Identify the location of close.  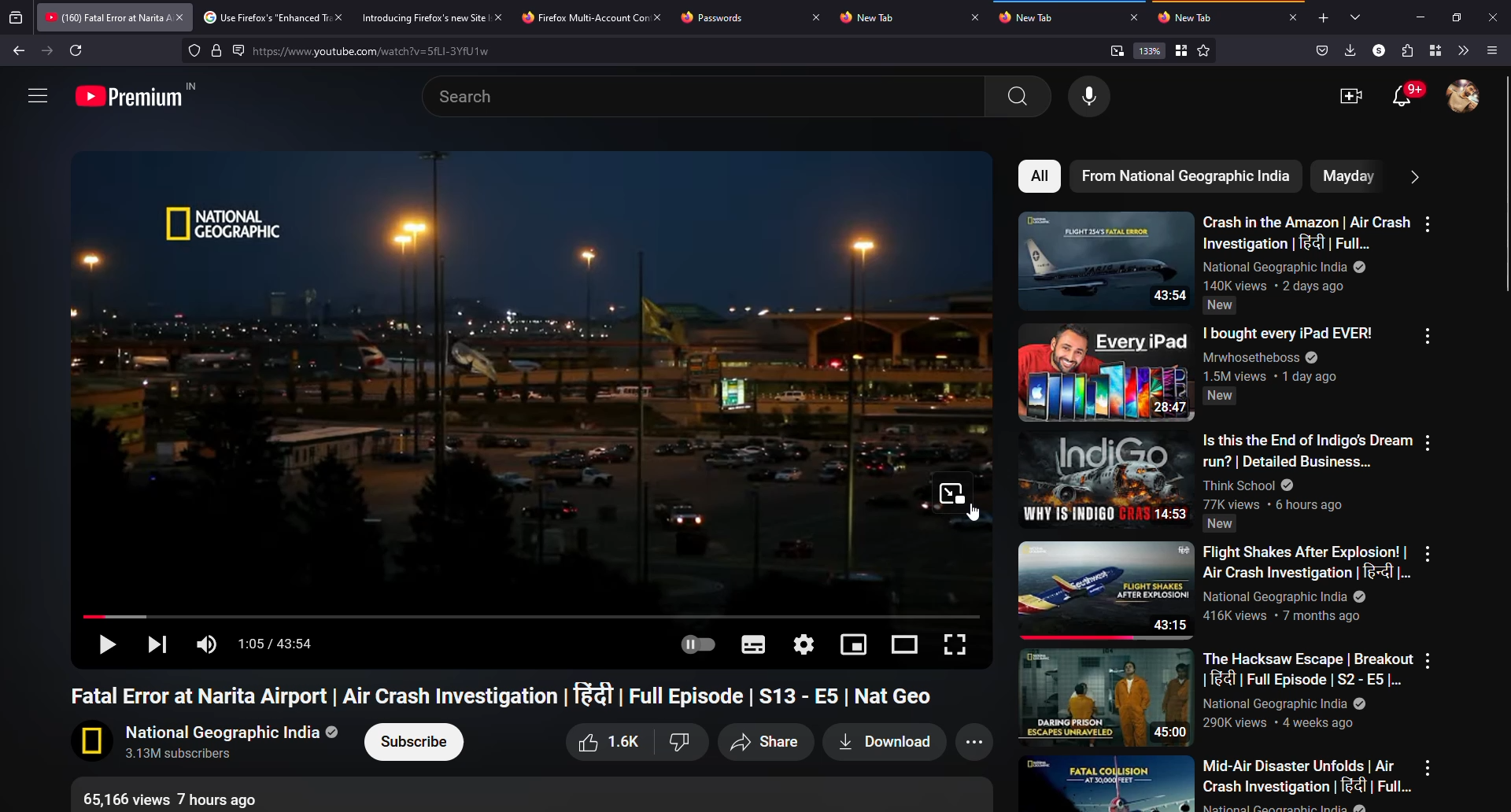
(976, 17).